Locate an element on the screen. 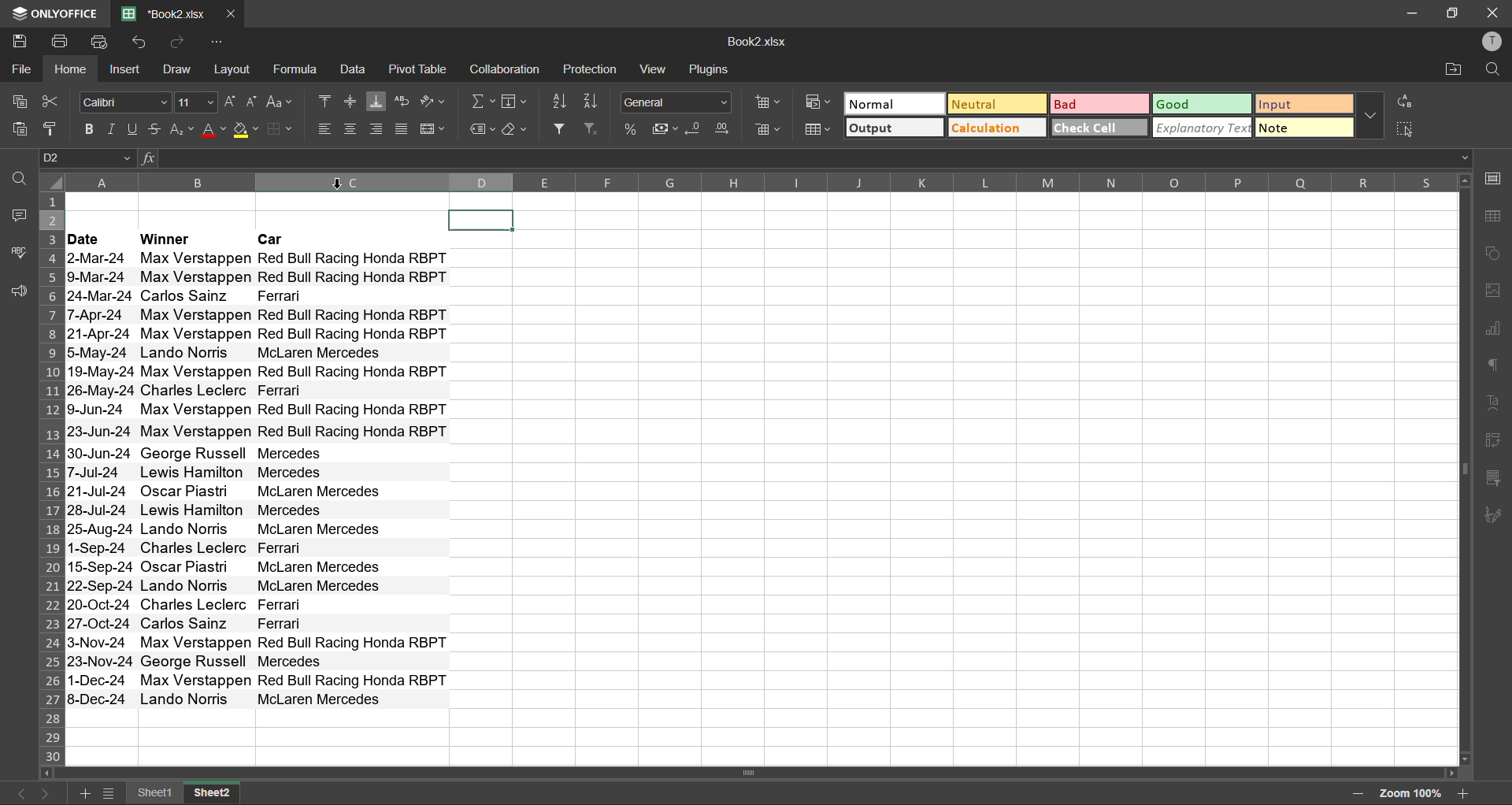 The image size is (1512, 805). scroll bar is located at coordinates (708, 774).